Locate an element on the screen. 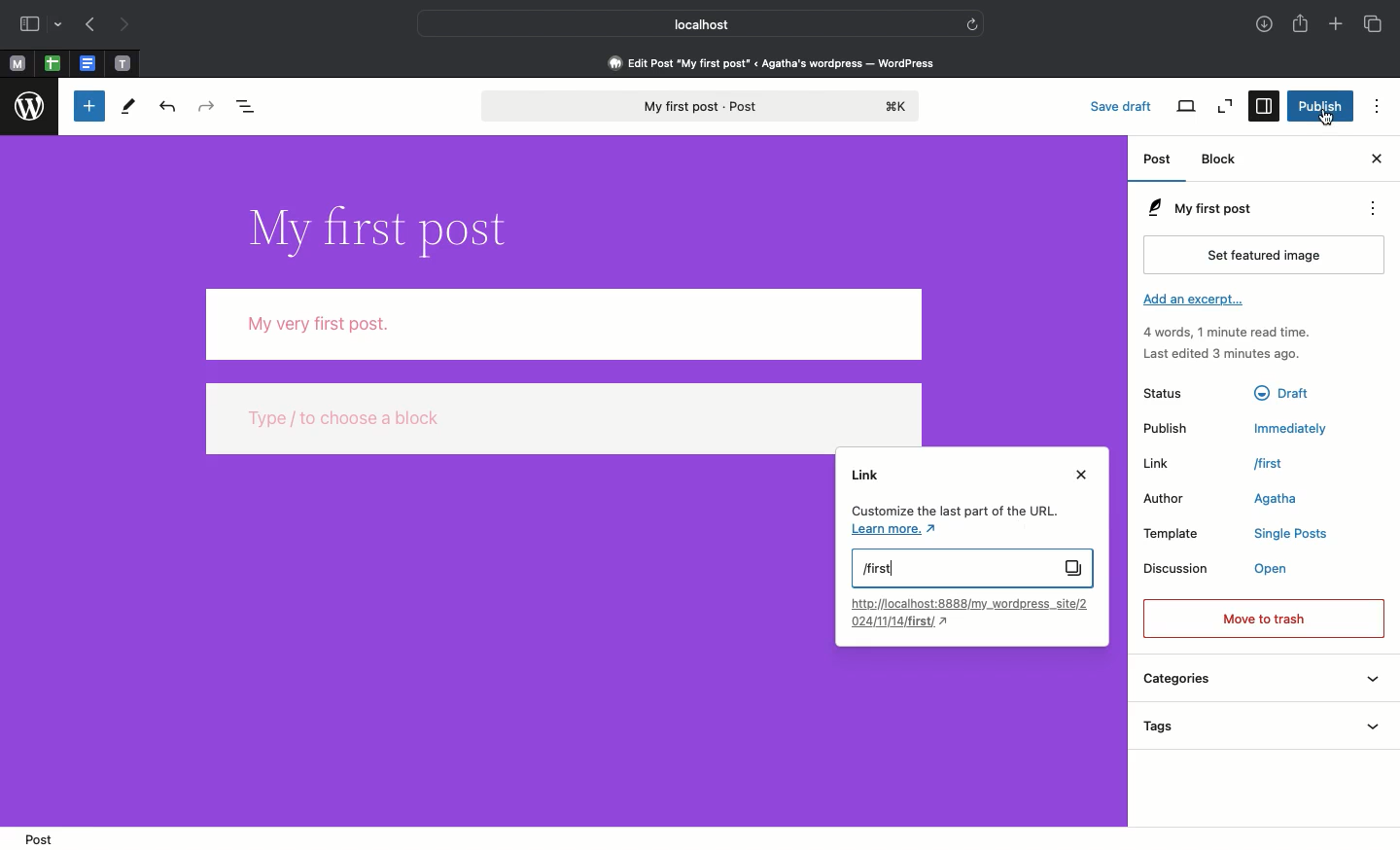 The width and height of the screenshot is (1400, 850). Categories is located at coordinates (1261, 680).